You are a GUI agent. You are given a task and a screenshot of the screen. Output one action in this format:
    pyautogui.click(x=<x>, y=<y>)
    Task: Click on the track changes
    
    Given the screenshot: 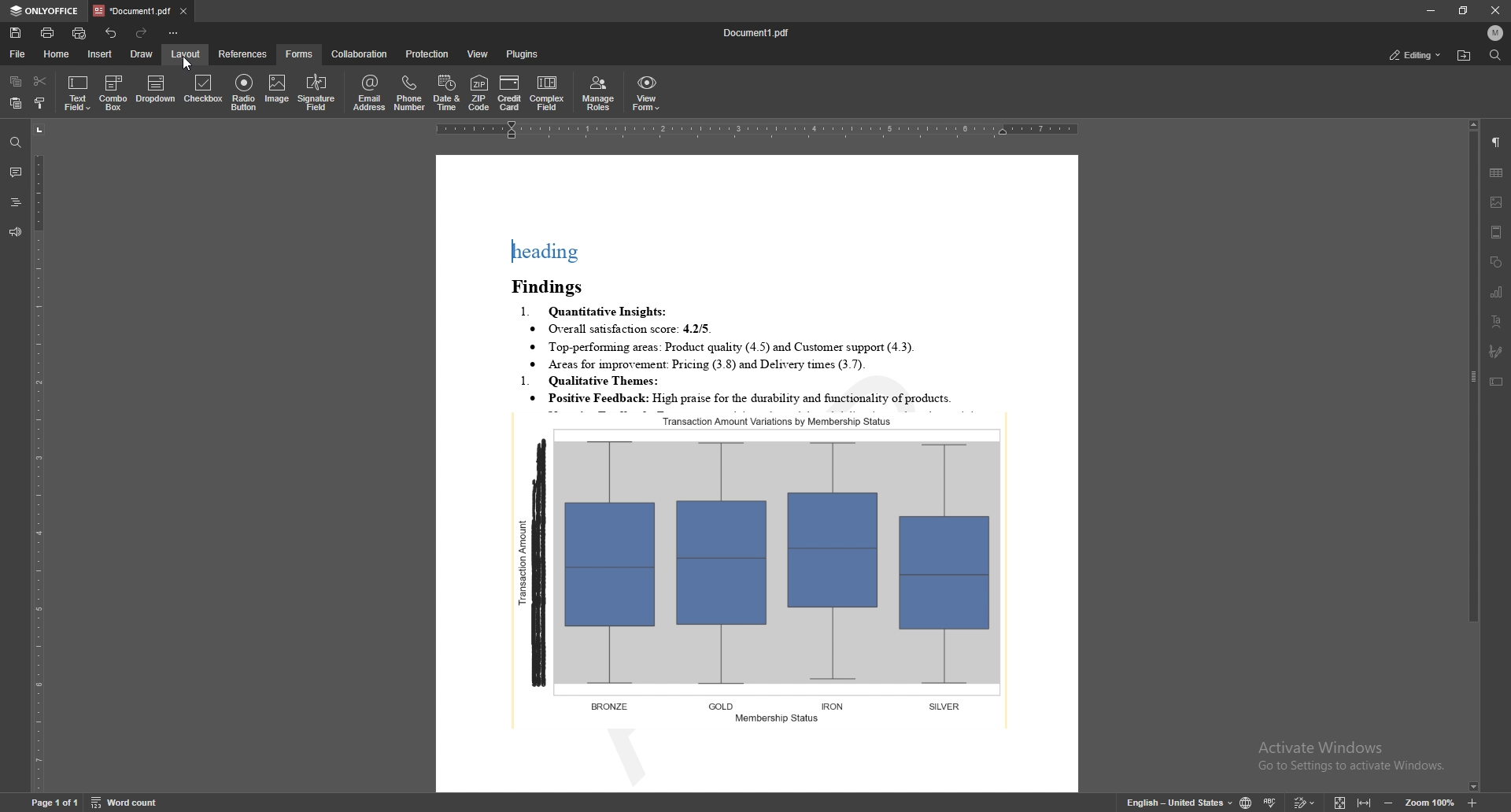 What is the action you would take?
    pyautogui.click(x=1305, y=802)
    